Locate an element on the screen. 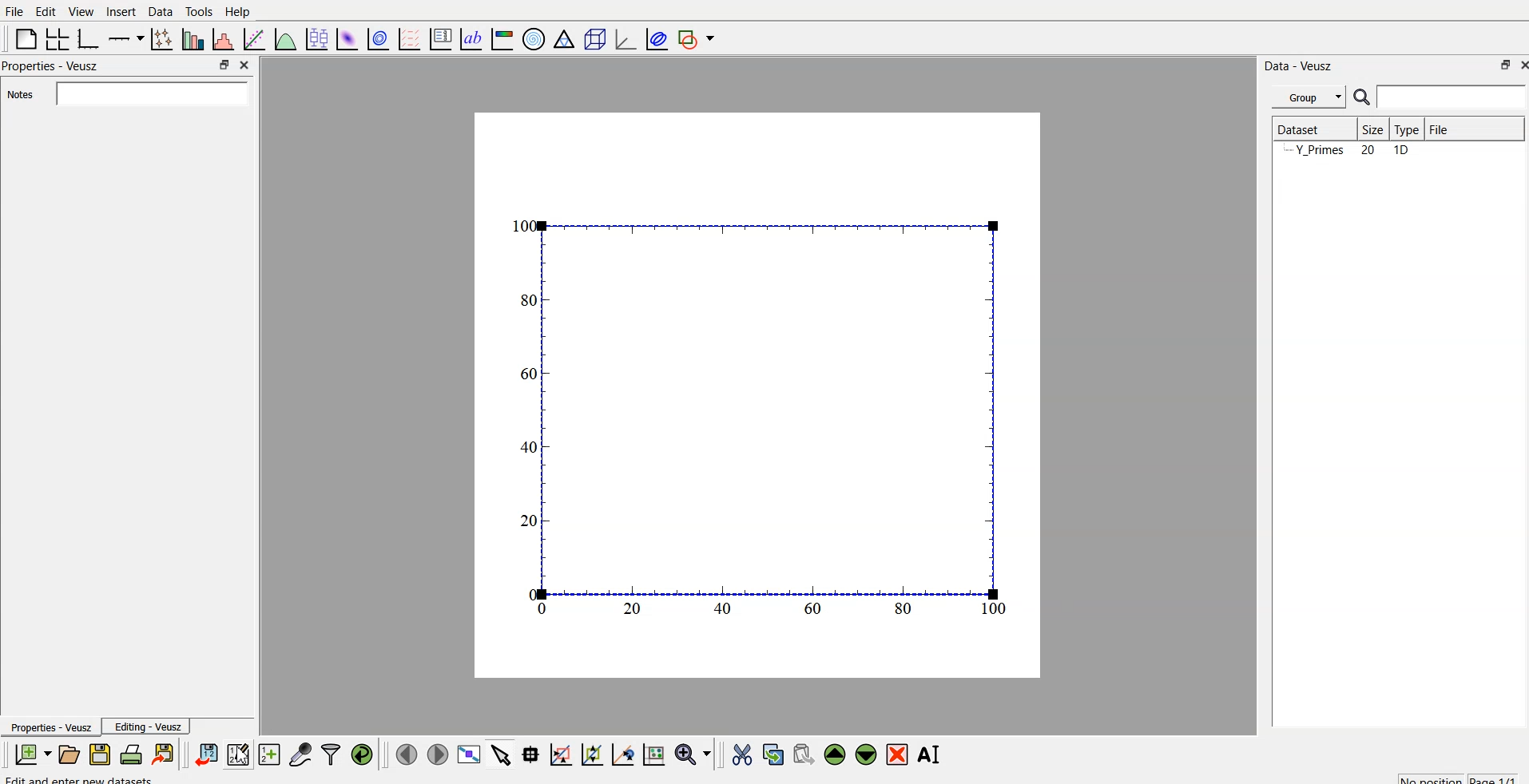  View is located at coordinates (82, 11).